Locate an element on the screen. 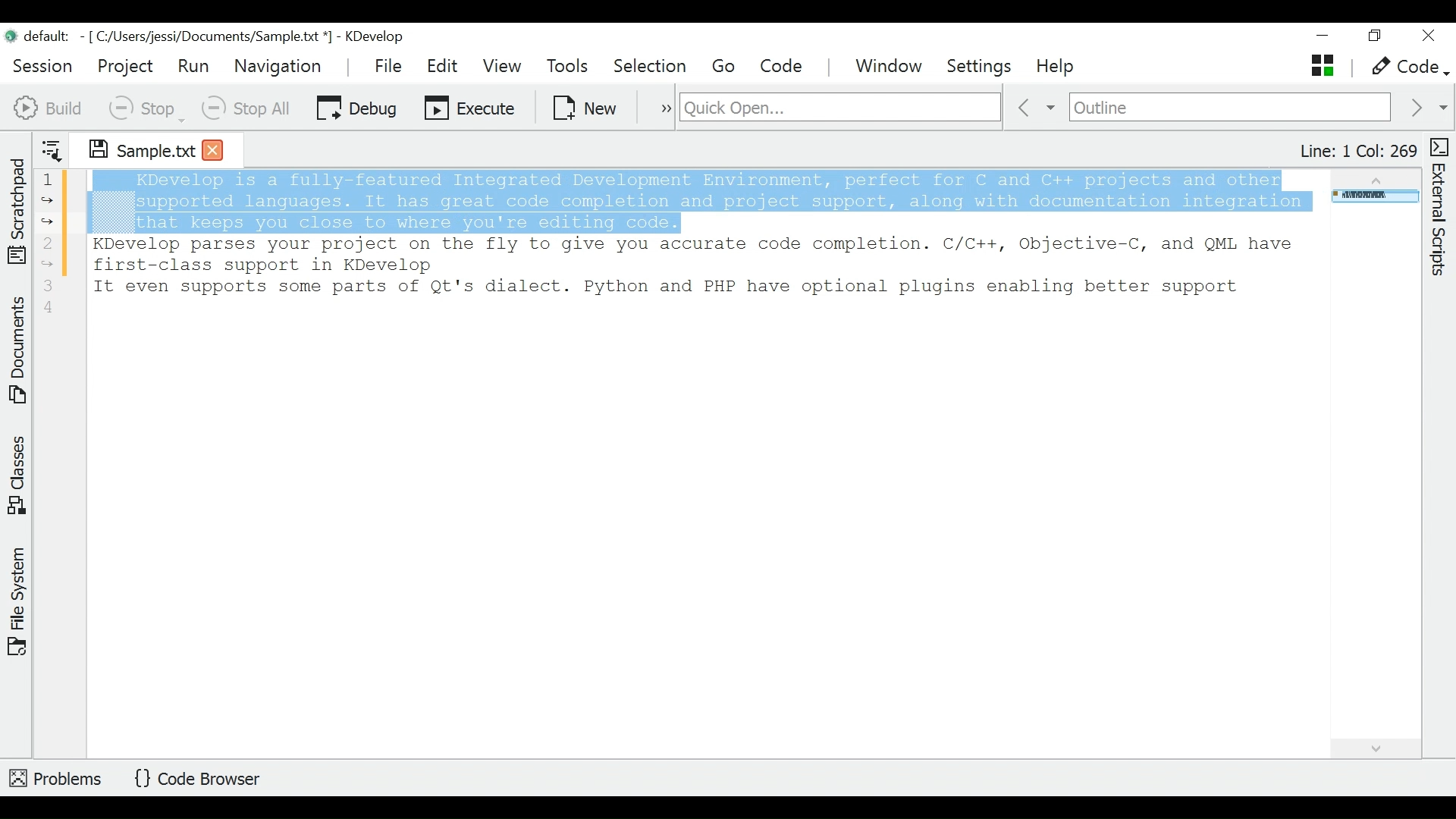 This screenshot has width=1456, height=819. Close is located at coordinates (1427, 36).